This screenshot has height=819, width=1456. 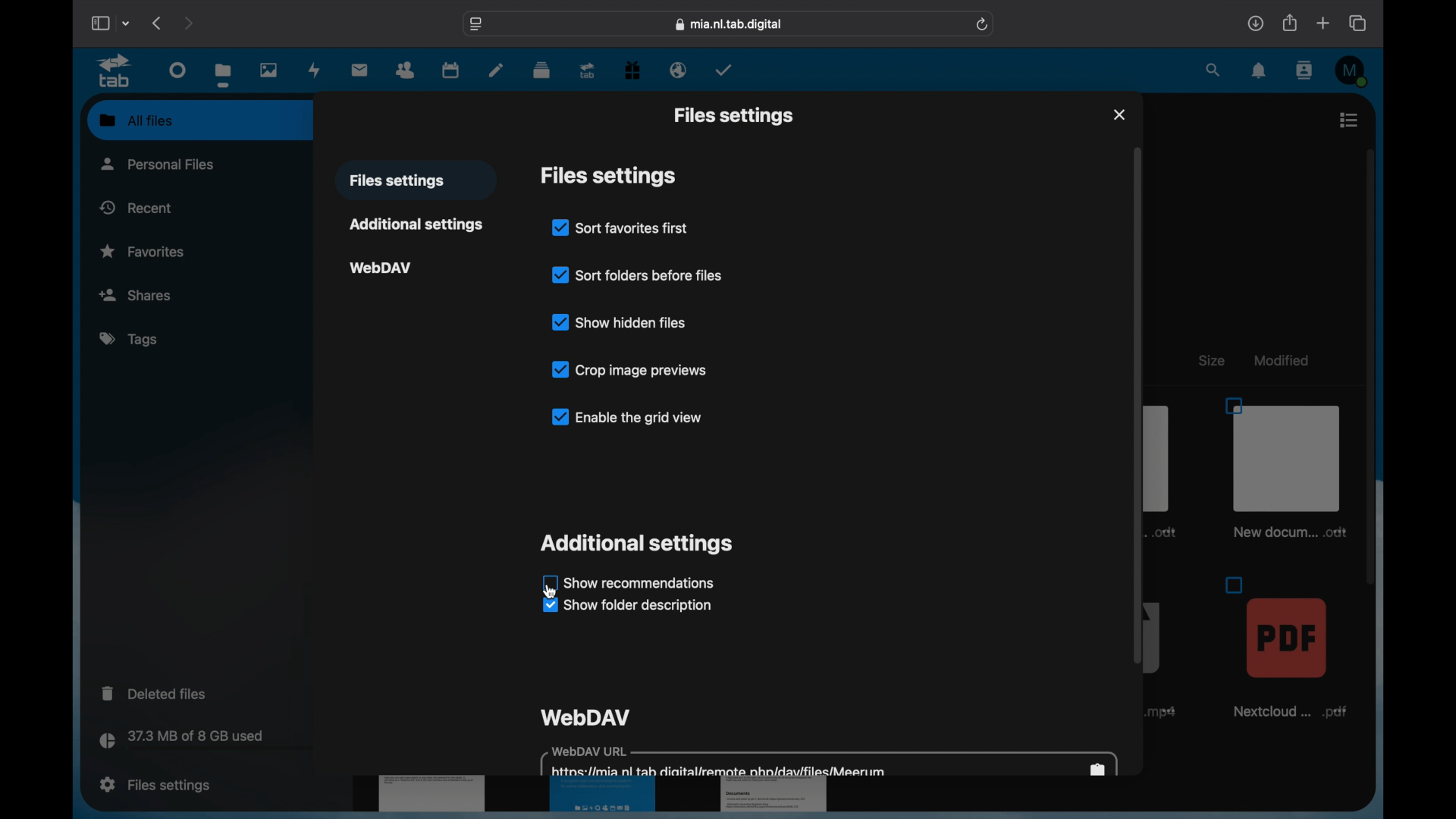 I want to click on previous, so click(x=156, y=23).